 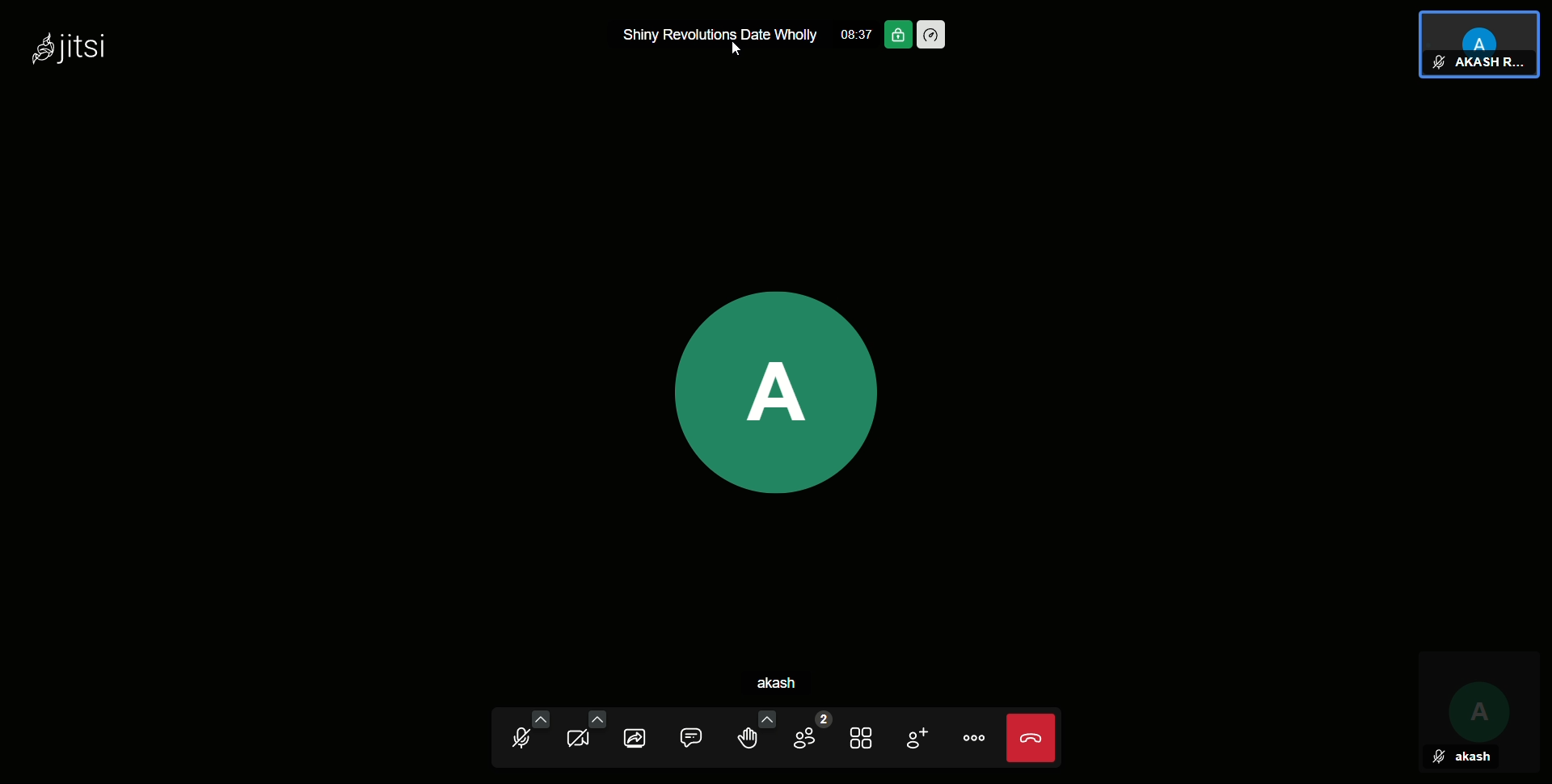 I want to click on cursor, so click(x=737, y=54).